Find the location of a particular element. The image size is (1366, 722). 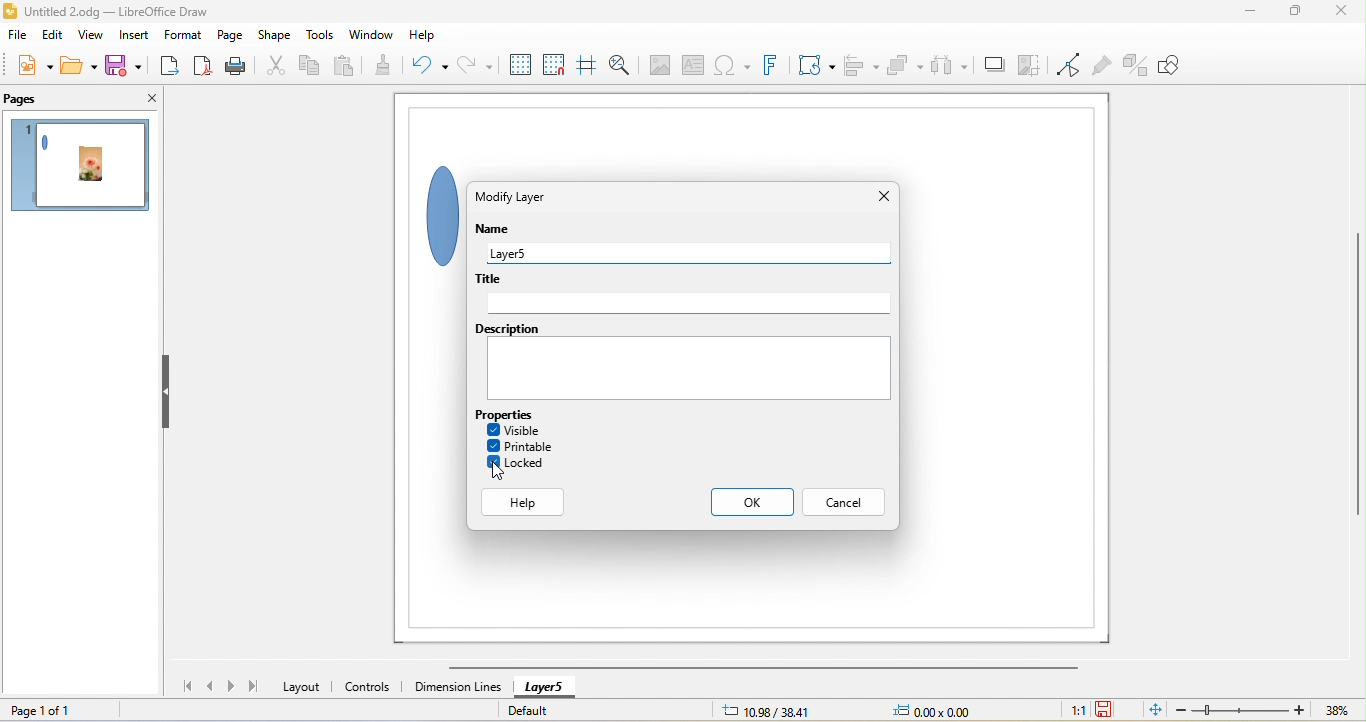

cut is located at coordinates (277, 67).